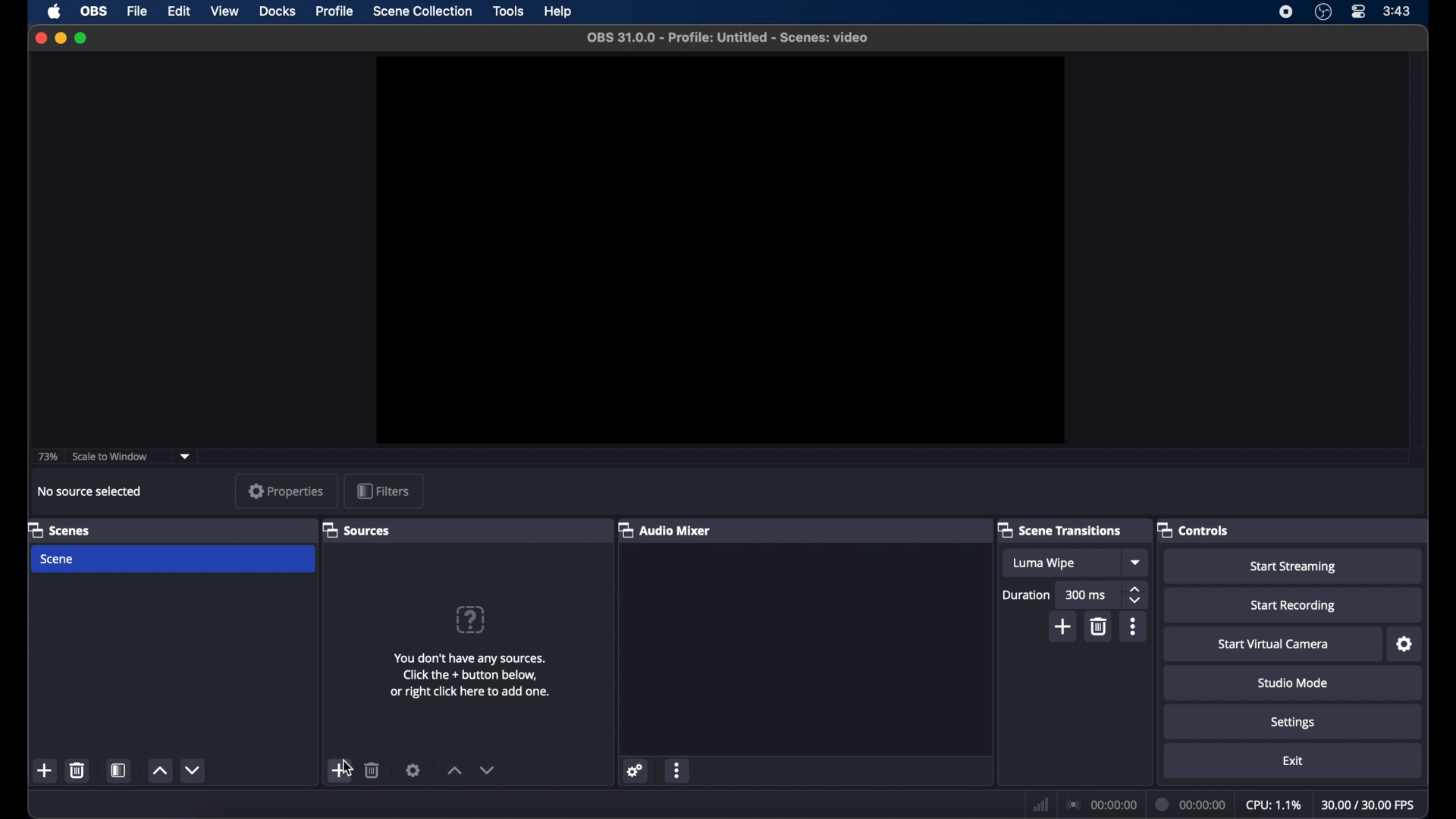  Describe the element at coordinates (1285, 11) in the screenshot. I see `screen recorder icon` at that location.